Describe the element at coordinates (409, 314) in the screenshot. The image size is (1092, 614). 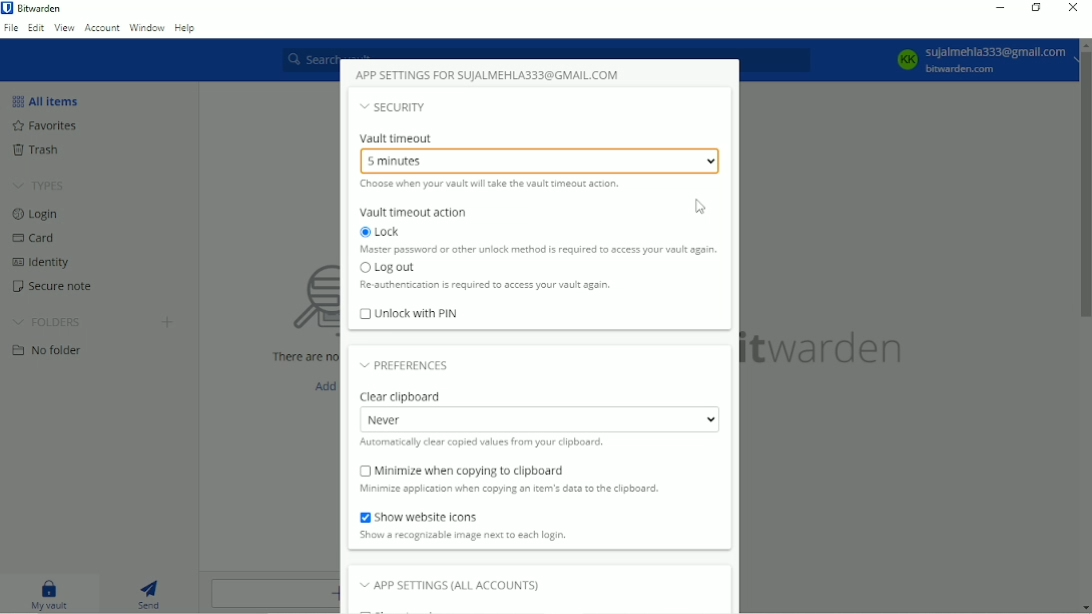
I see `Unlock with PIN` at that location.